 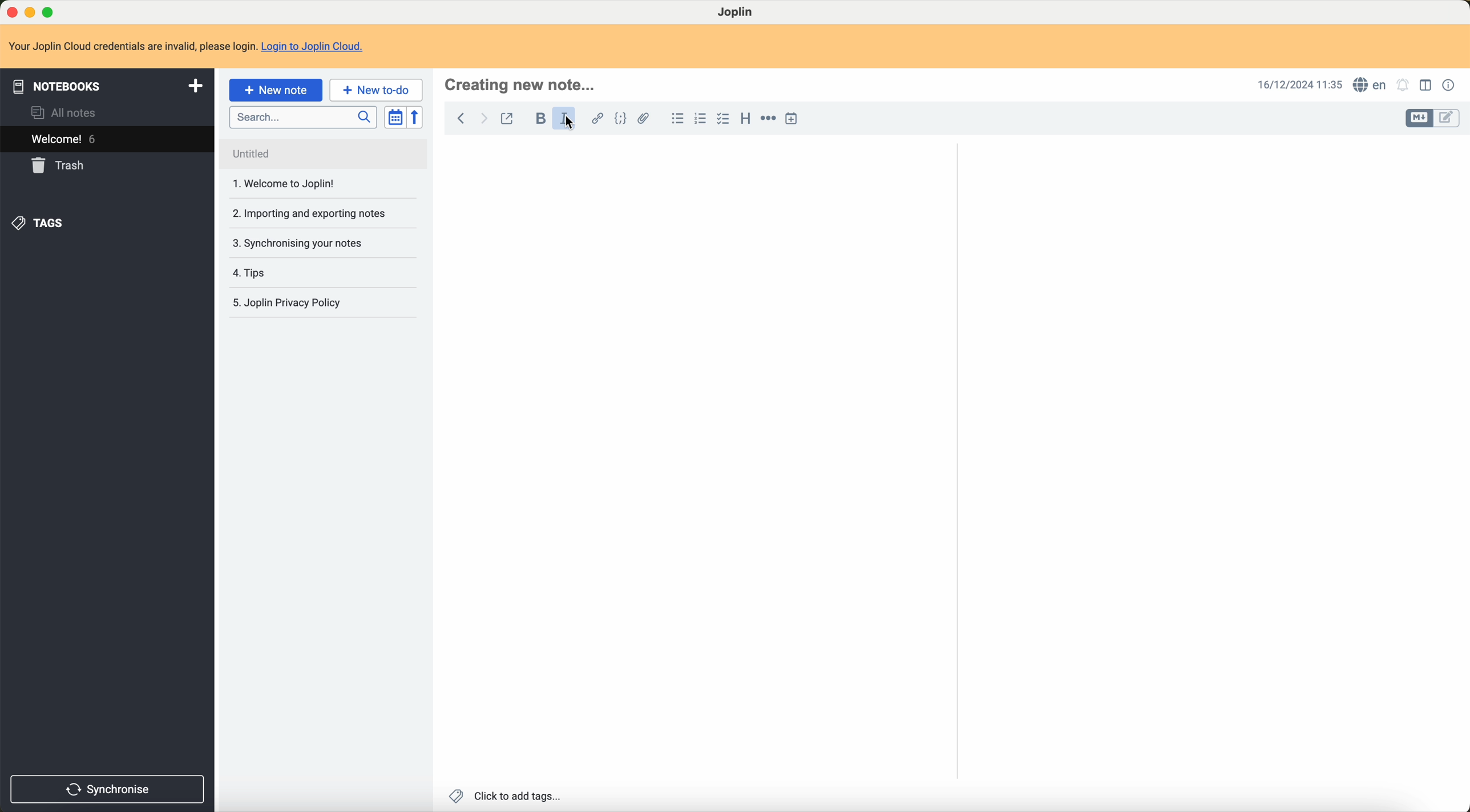 What do you see at coordinates (309, 213) in the screenshot?
I see `2.importing and exporting notes` at bounding box center [309, 213].